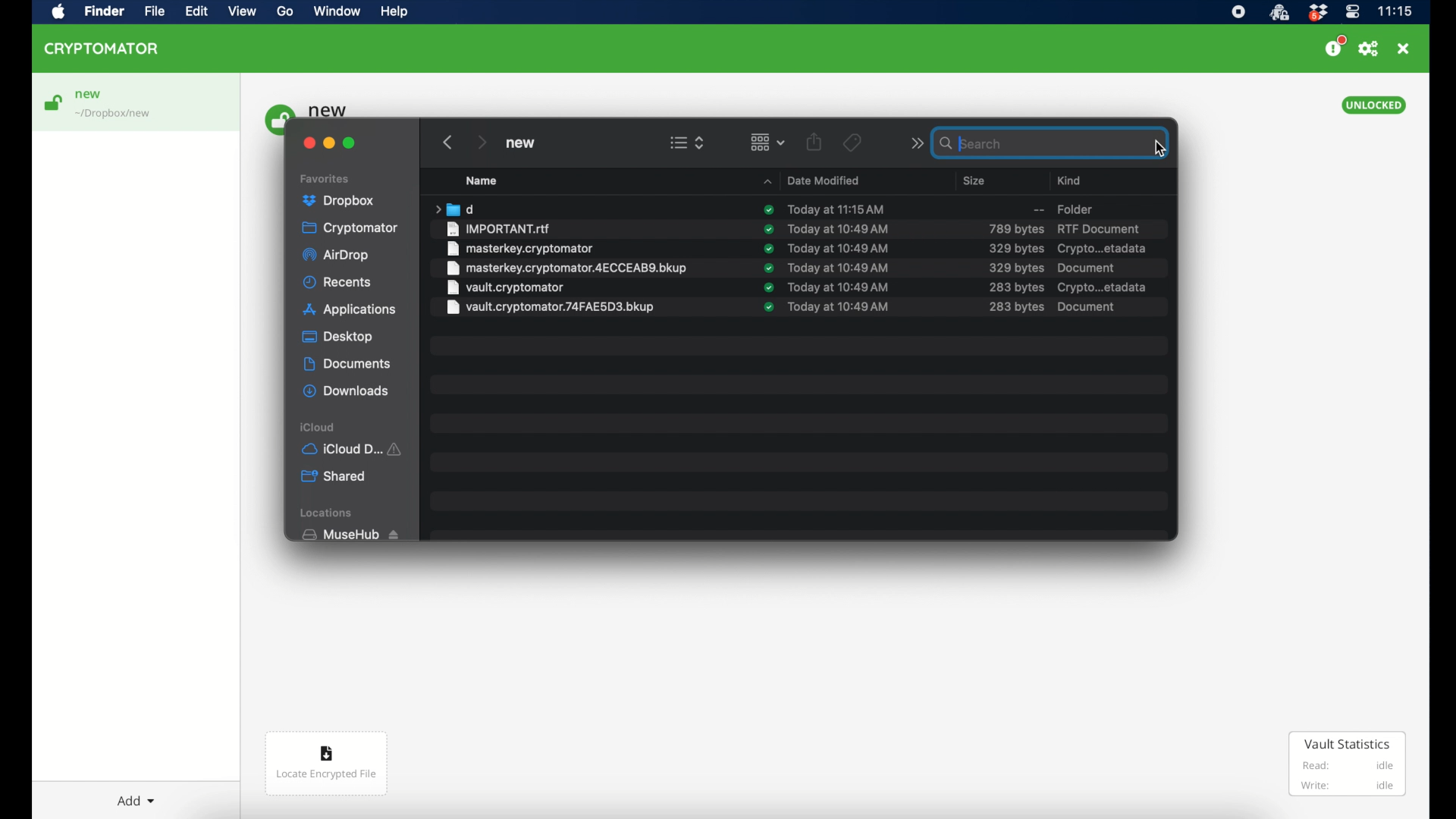  What do you see at coordinates (325, 179) in the screenshot?
I see `favorites` at bounding box center [325, 179].